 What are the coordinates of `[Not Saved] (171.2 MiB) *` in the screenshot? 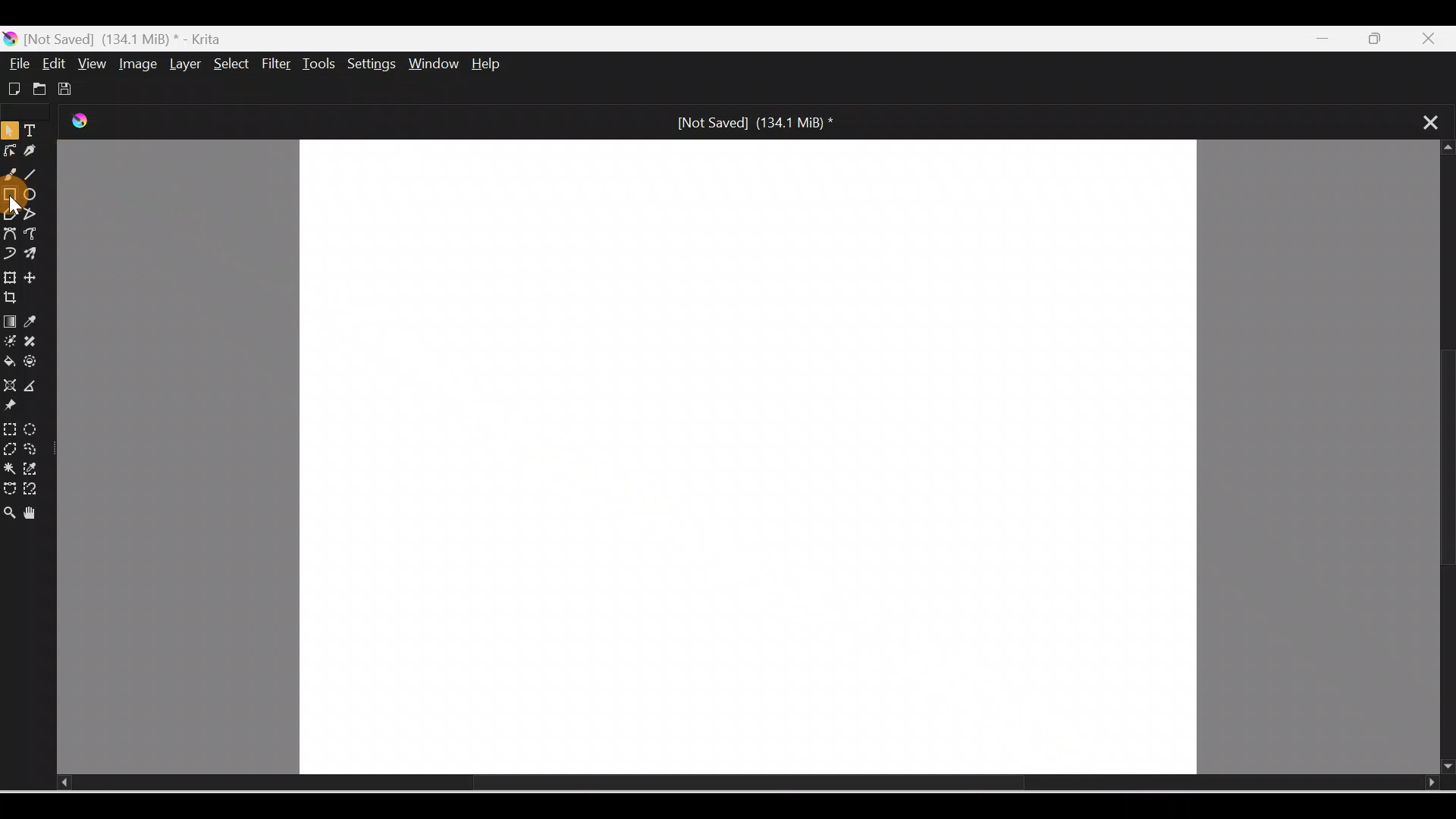 It's located at (751, 121).